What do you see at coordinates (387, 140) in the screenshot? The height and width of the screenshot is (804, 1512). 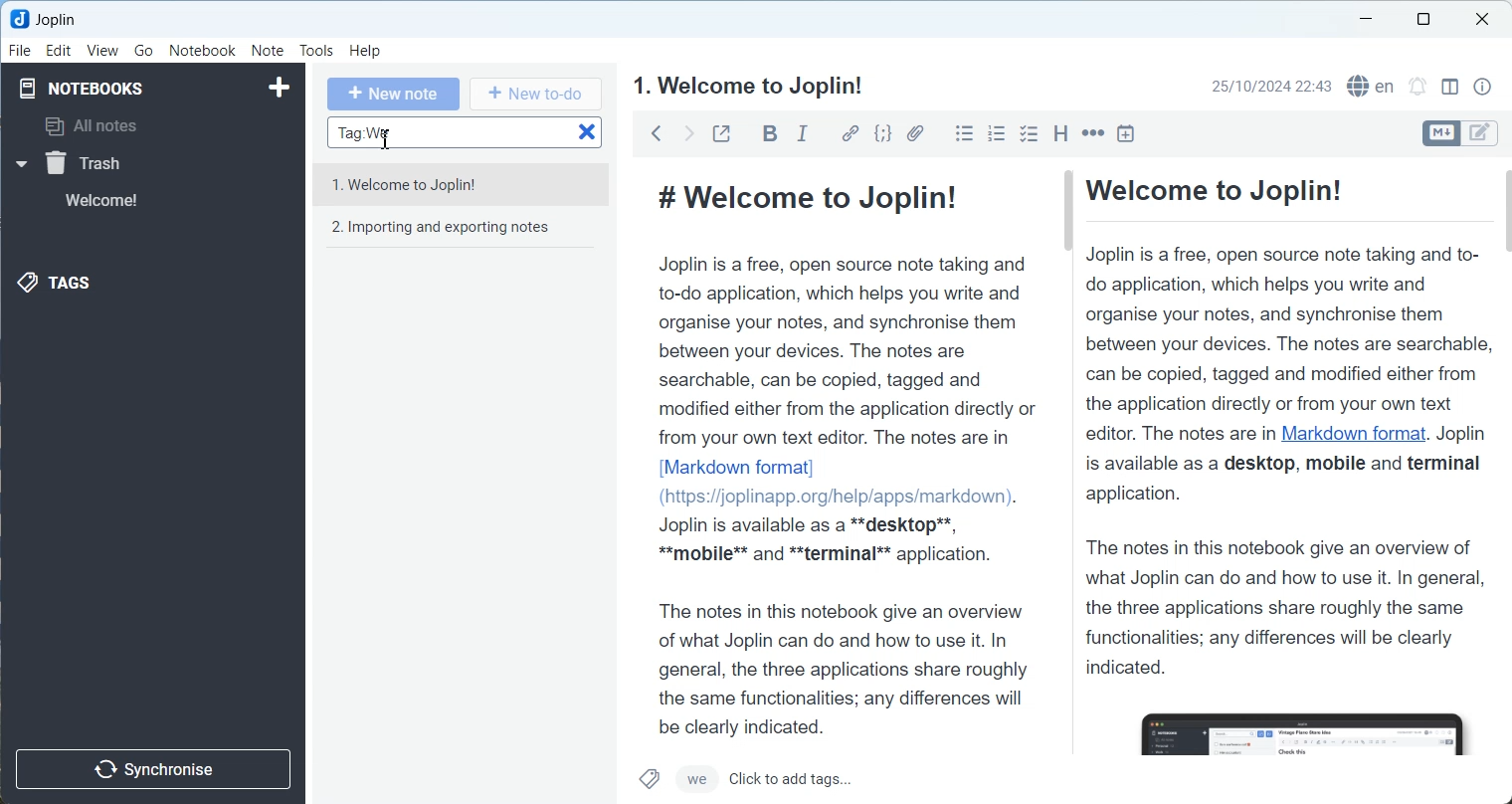 I see `Cursor` at bounding box center [387, 140].